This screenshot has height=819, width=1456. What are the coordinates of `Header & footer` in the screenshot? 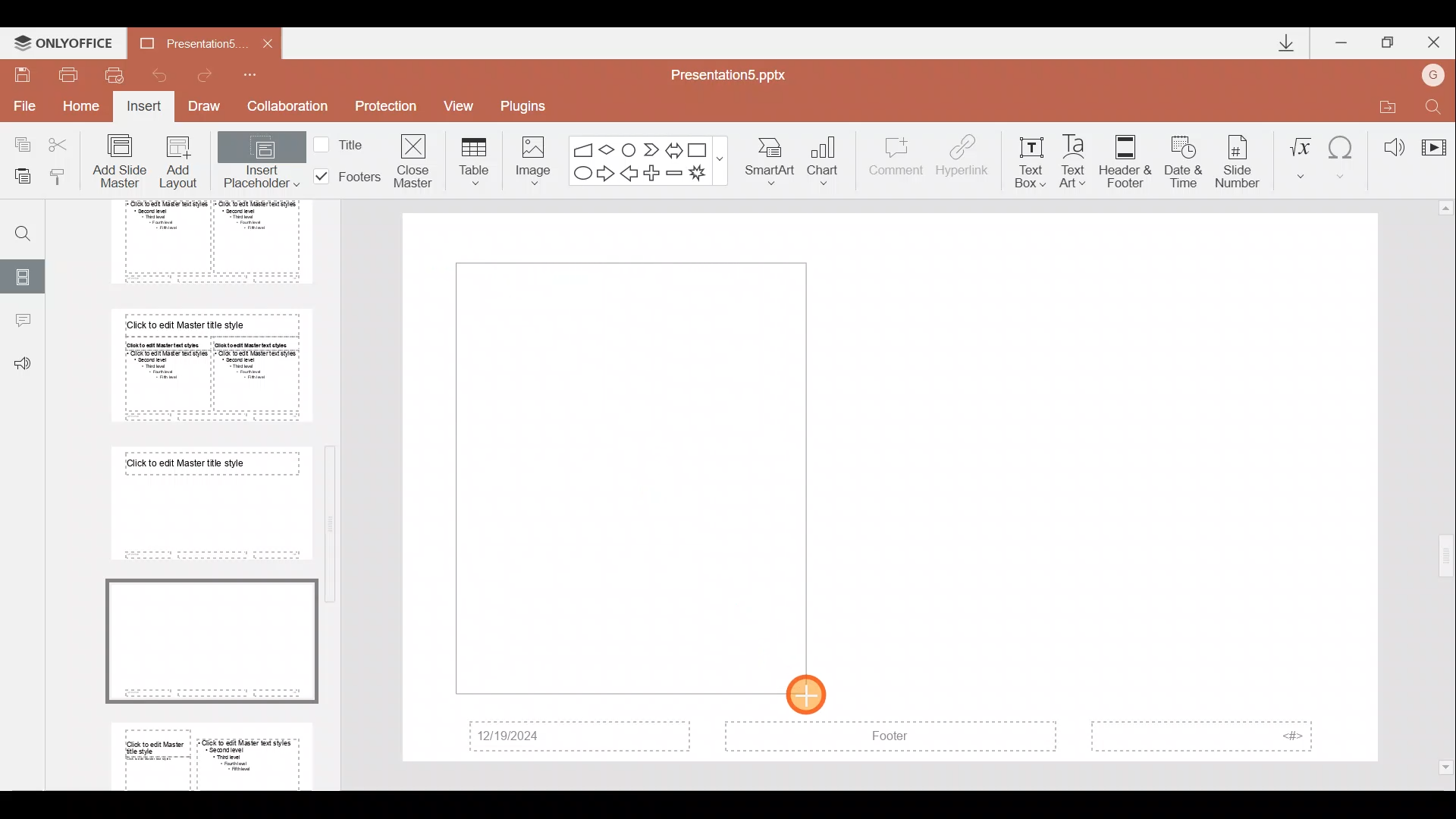 It's located at (1125, 161).